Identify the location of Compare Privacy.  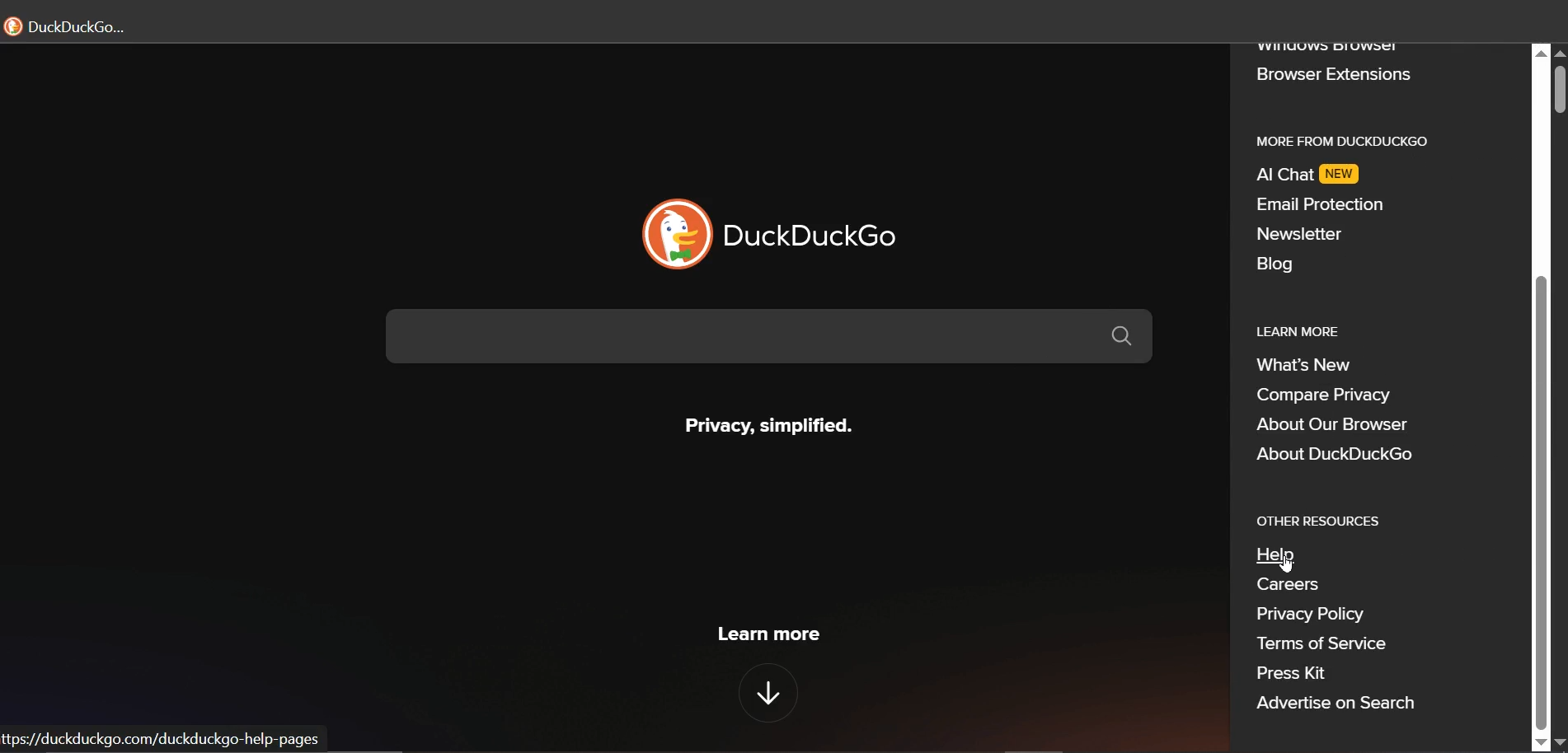
(1331, 397).